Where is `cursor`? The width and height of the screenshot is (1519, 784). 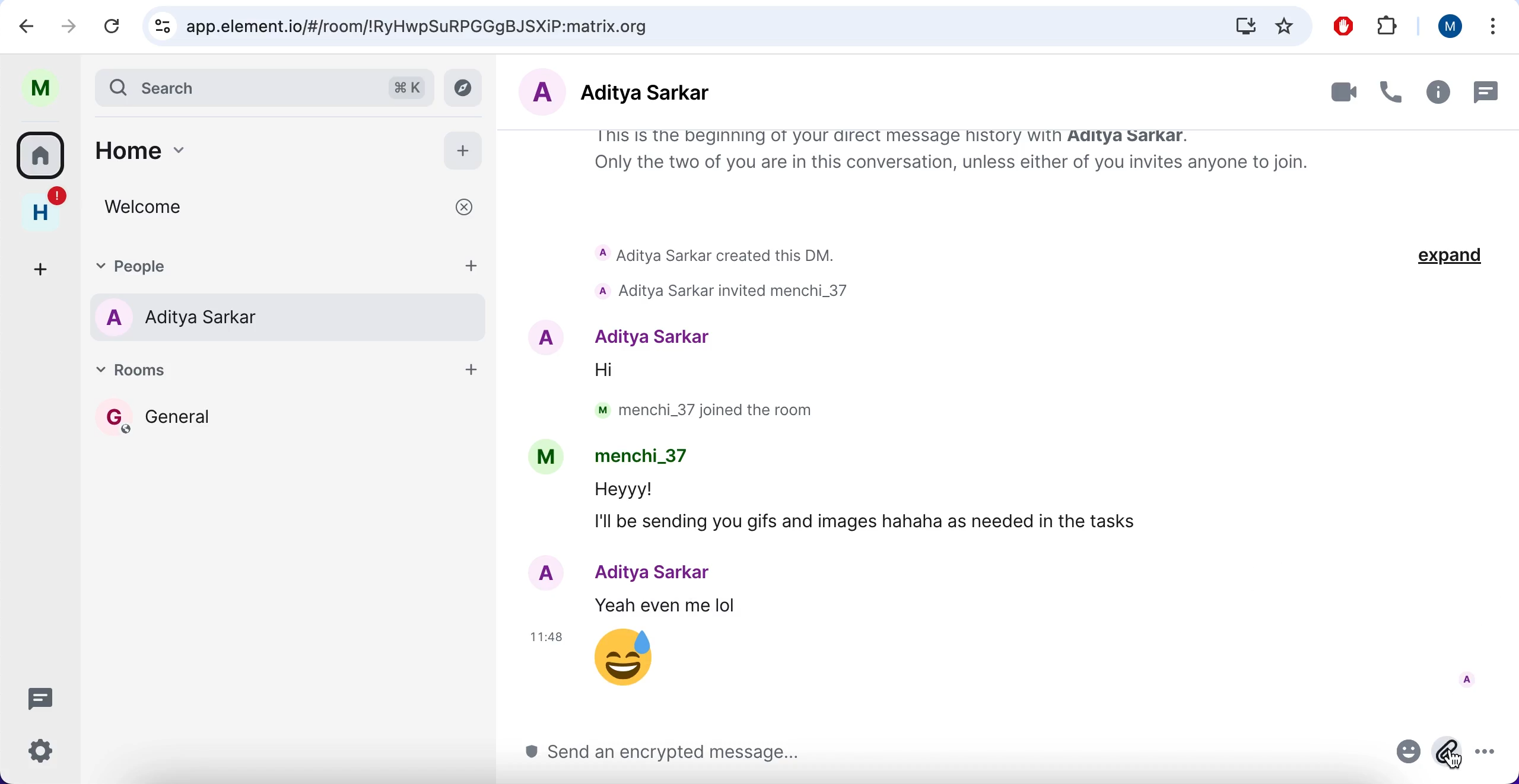
cursor is located at coordinates (1453, 759).